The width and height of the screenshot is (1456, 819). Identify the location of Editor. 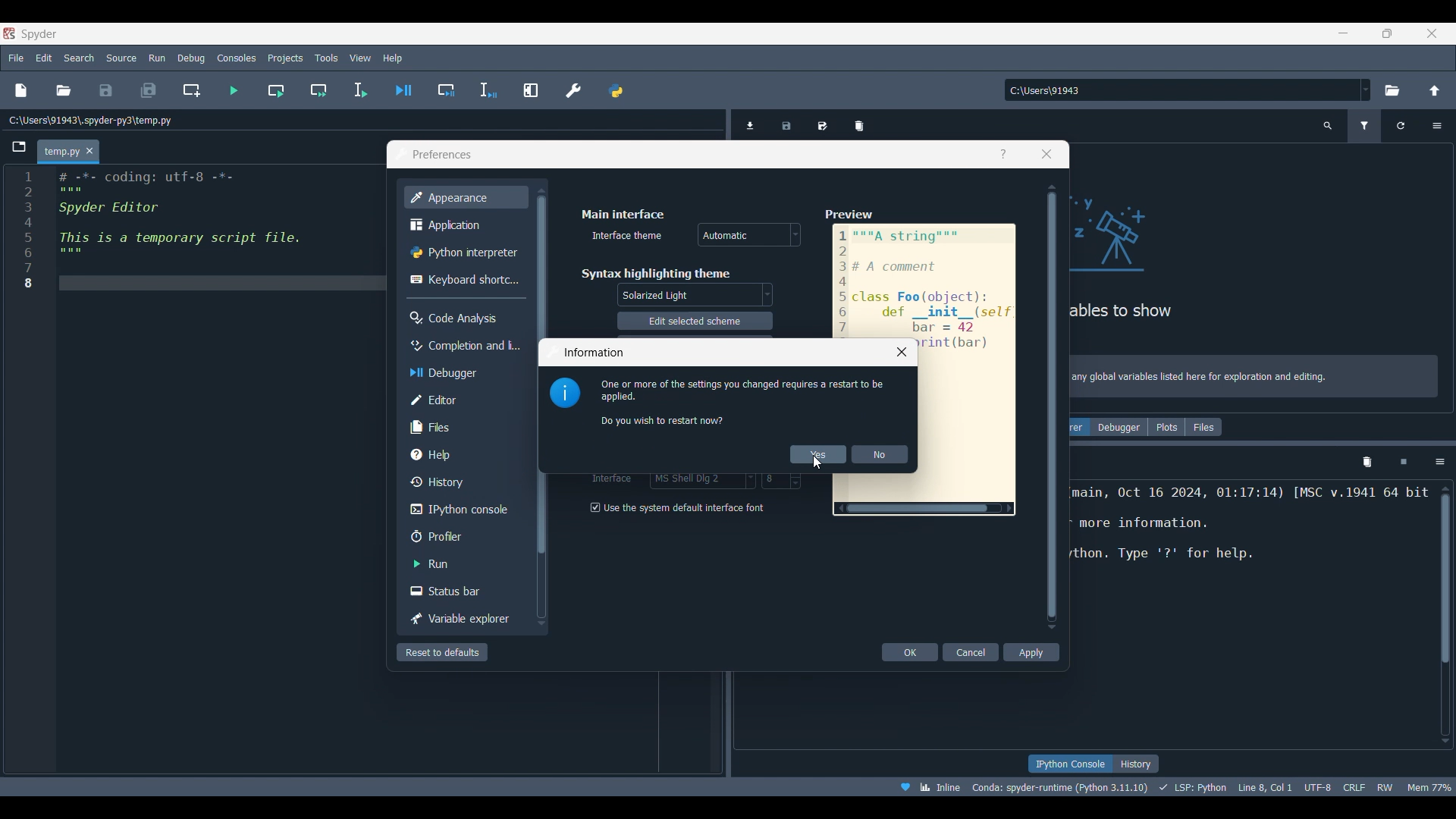
(463, 400).